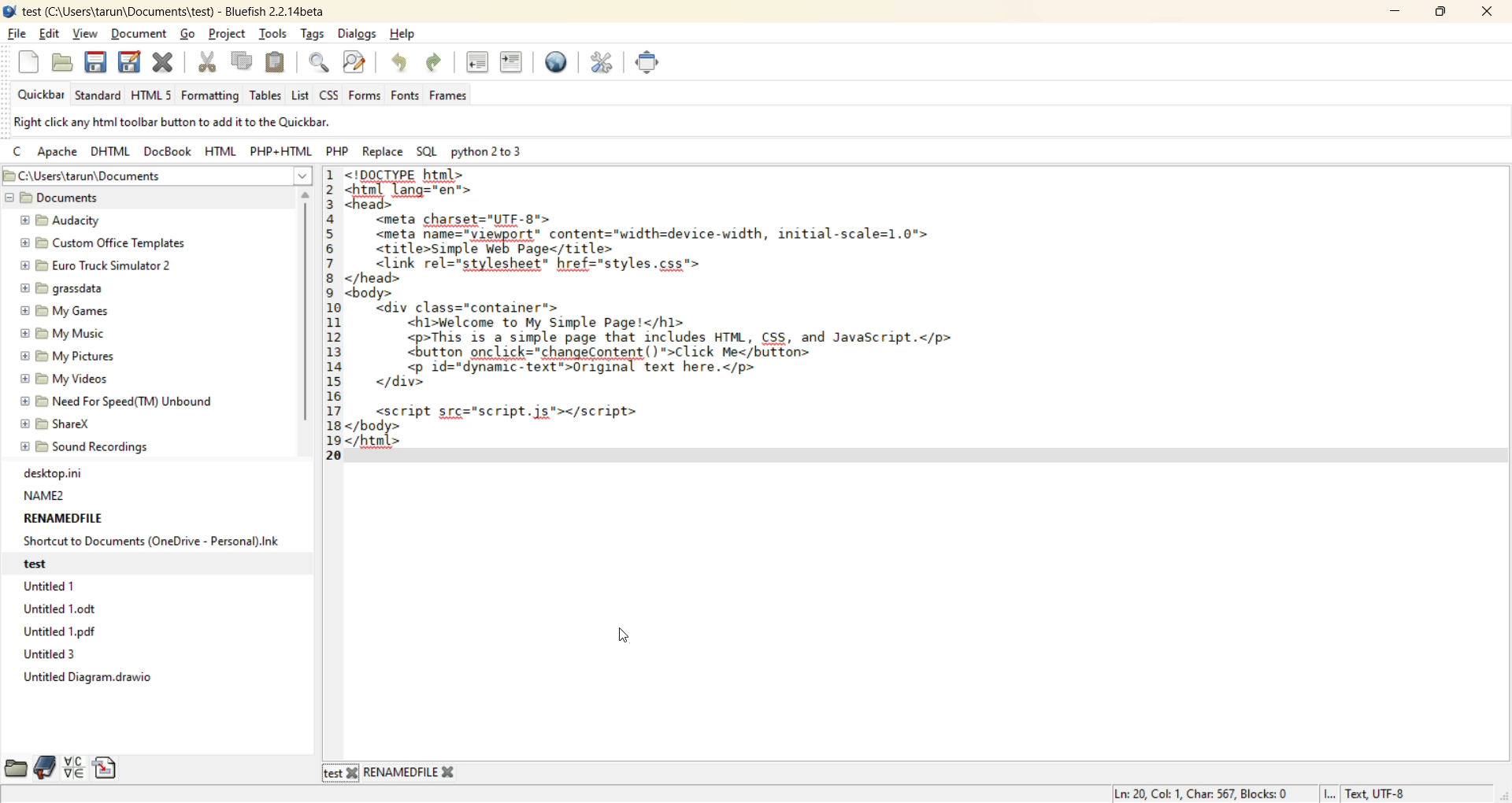  Describe the element at coordinates (73, 767) in the screenshot. I see `charmap` at that location.